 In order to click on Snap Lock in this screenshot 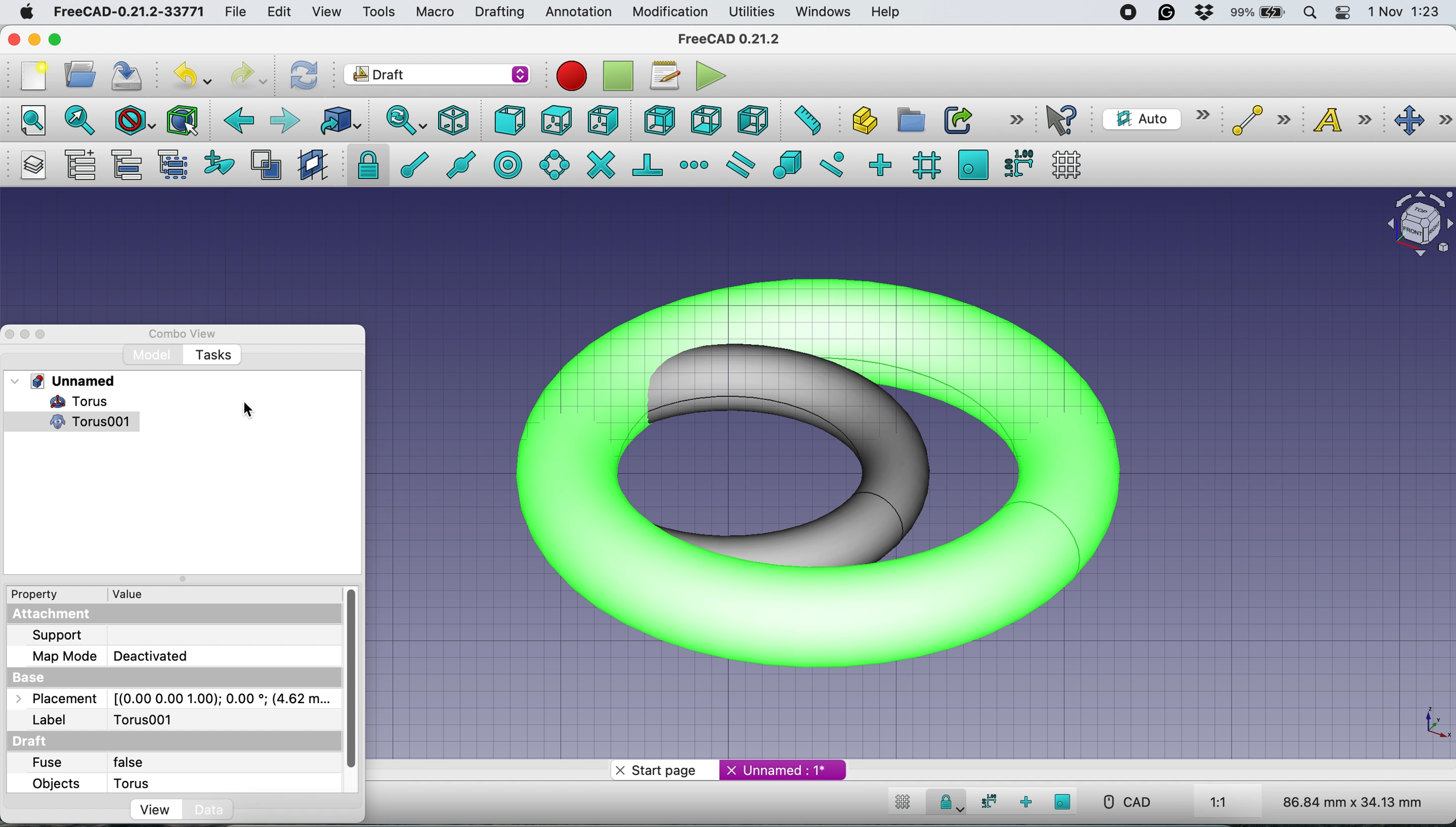, I will do `click(949, 801)`.